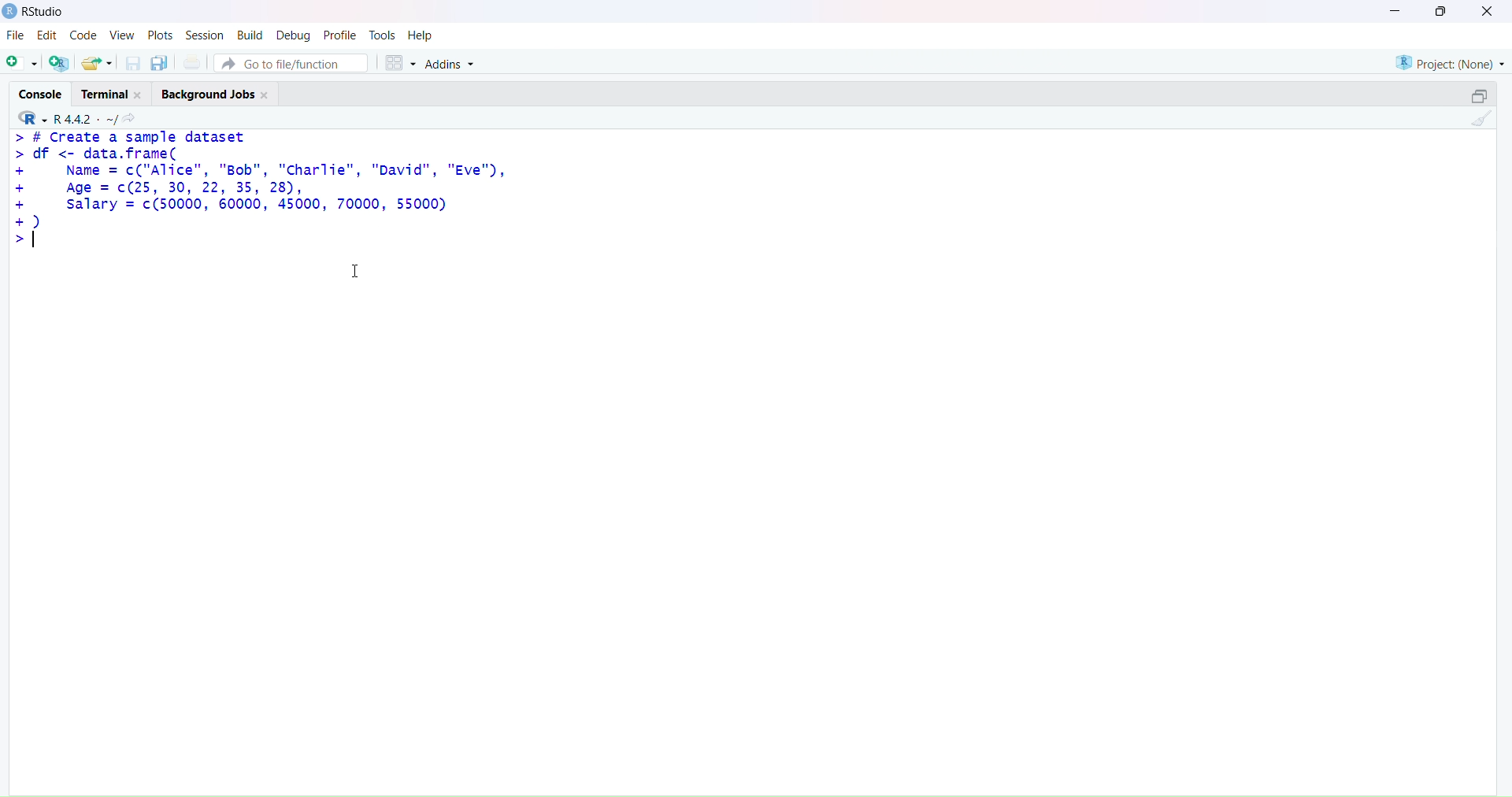 This screenshot has height=797, width=1512. What do you see at coordinates (160, 35) in the screenshot?
I see `plots` at bounding box center [160, 35].